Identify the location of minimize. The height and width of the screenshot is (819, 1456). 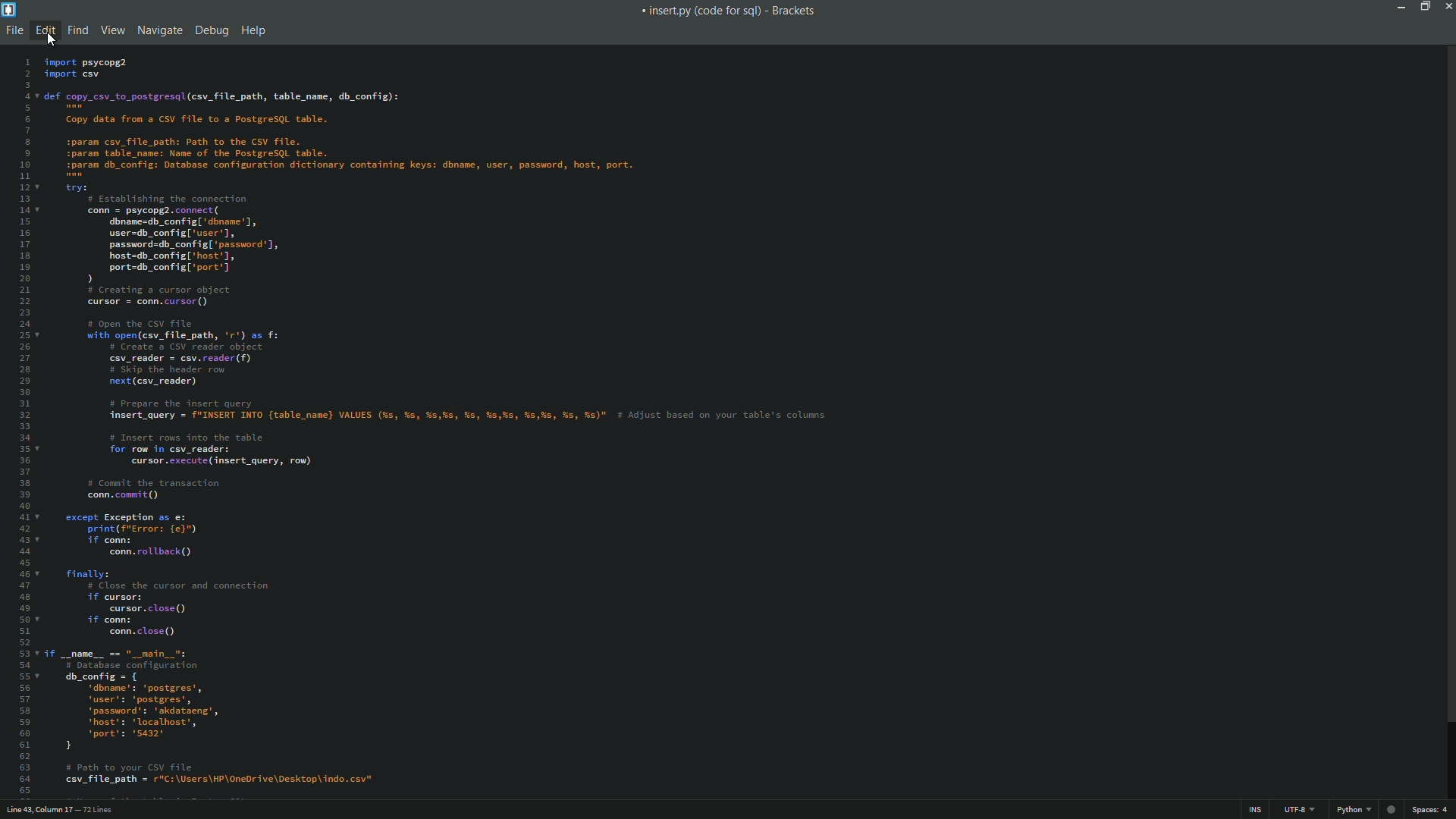
(1400, 6).